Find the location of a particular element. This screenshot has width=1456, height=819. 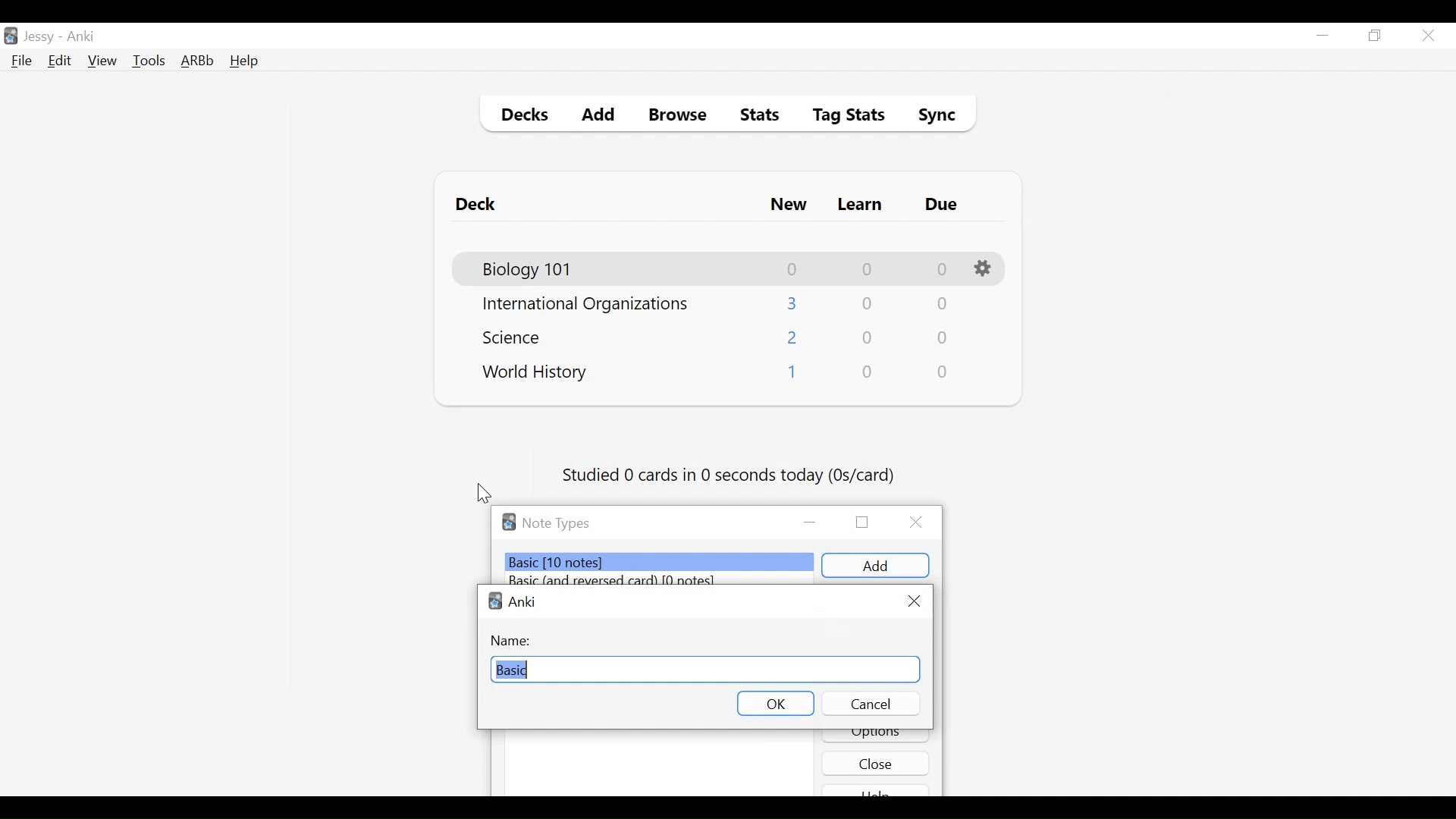

Basic (number of notes) is located at coordinates (661, 562).